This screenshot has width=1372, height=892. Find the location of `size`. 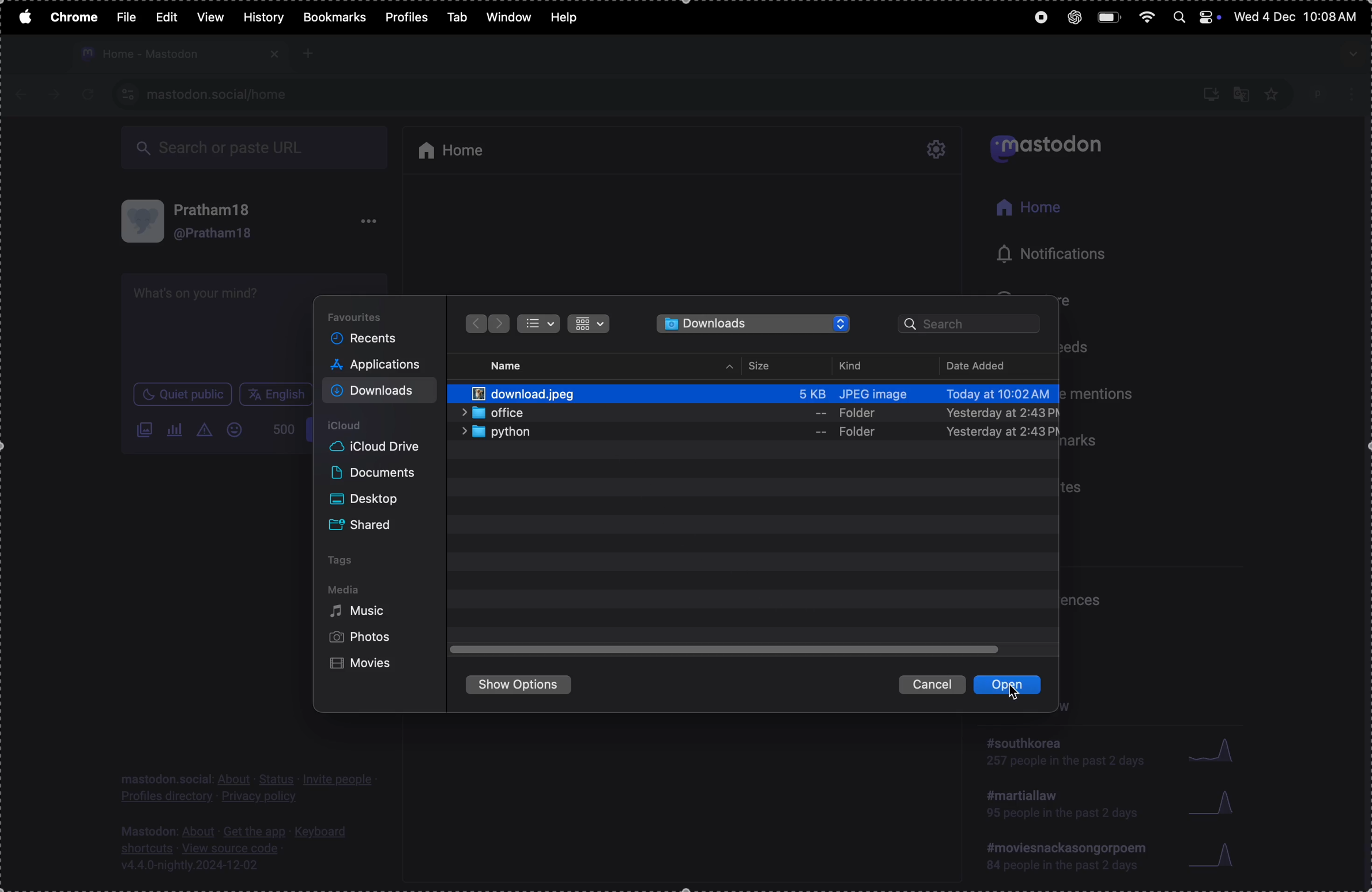

size is located at coordinates (763, 366).